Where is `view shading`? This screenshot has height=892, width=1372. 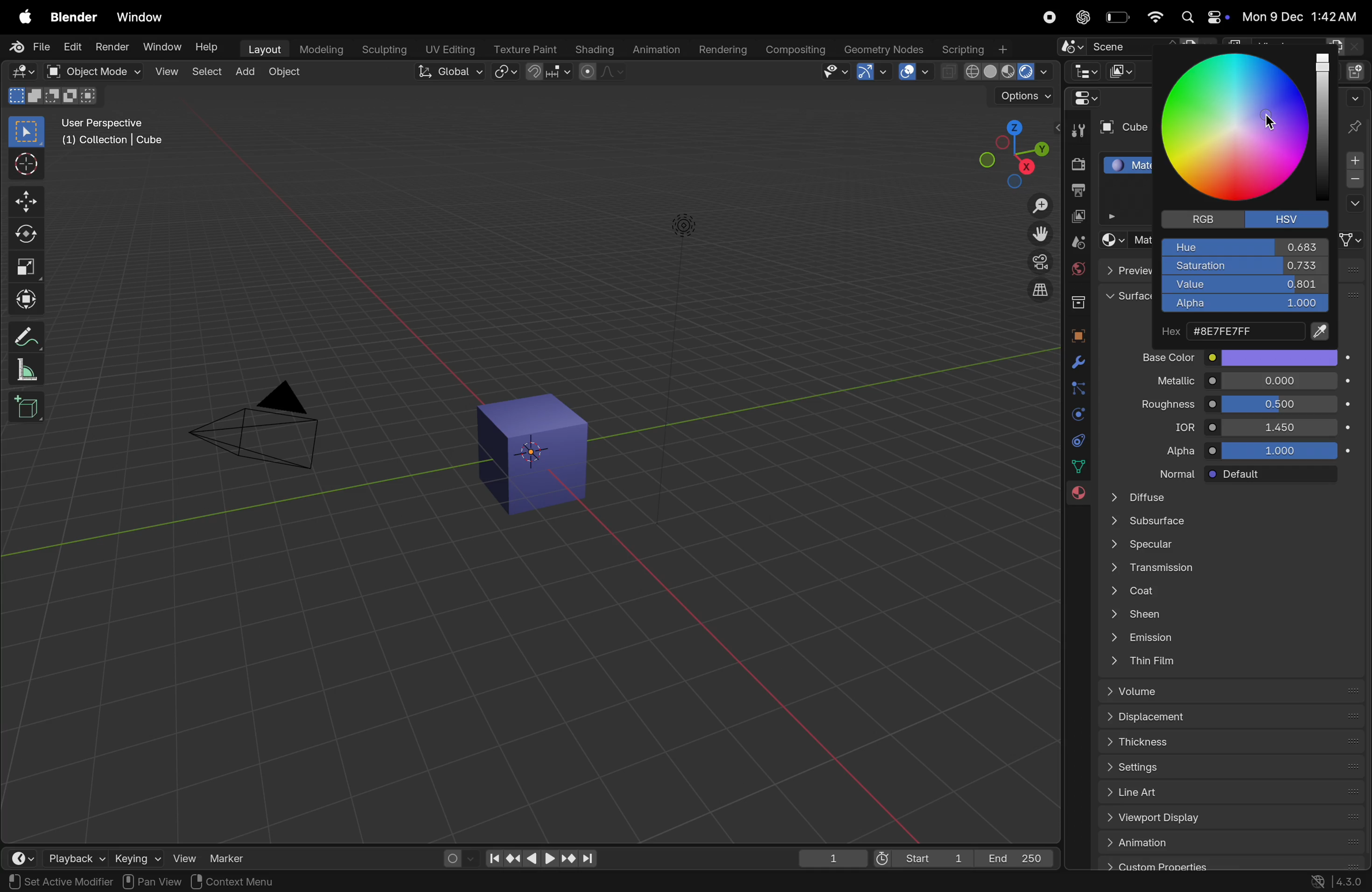
view shading is located at coordinates (997, 73).